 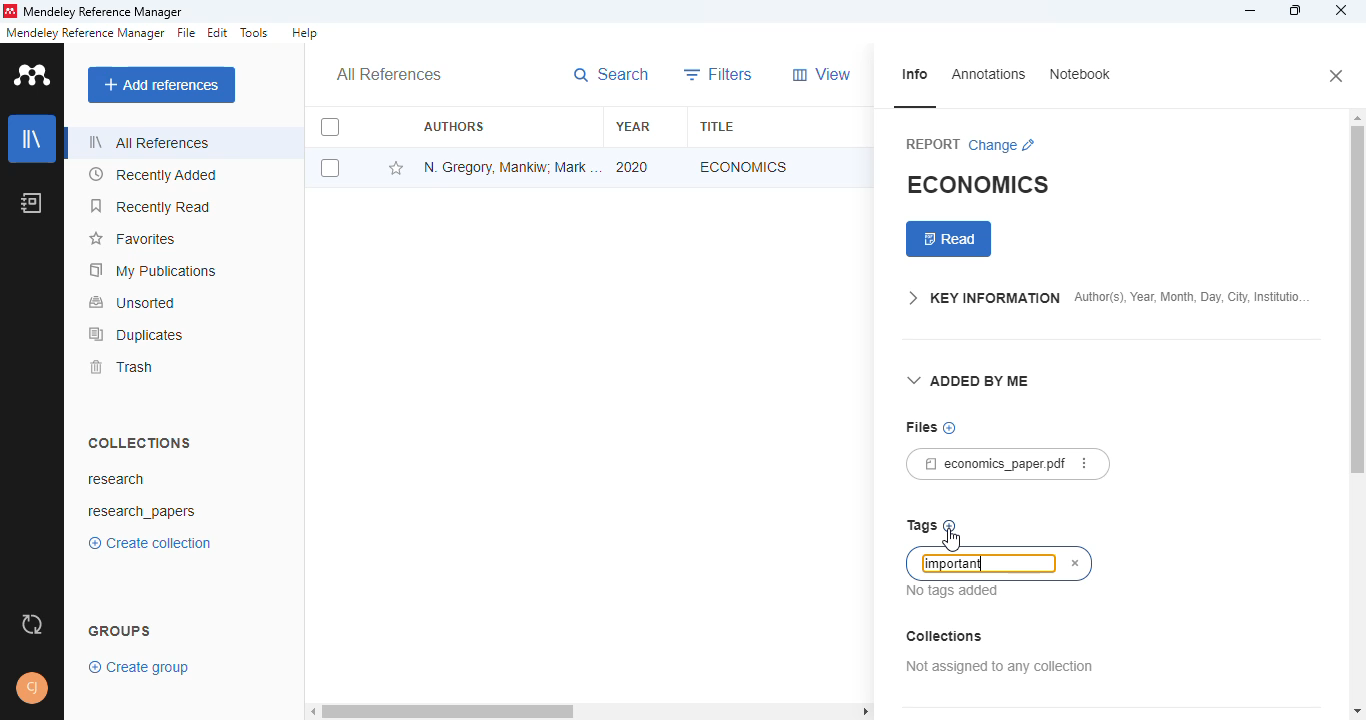 What do you see at coordinates (153, 271) in the screenshot?
I see `my publications` at bounding box center [153, 271].